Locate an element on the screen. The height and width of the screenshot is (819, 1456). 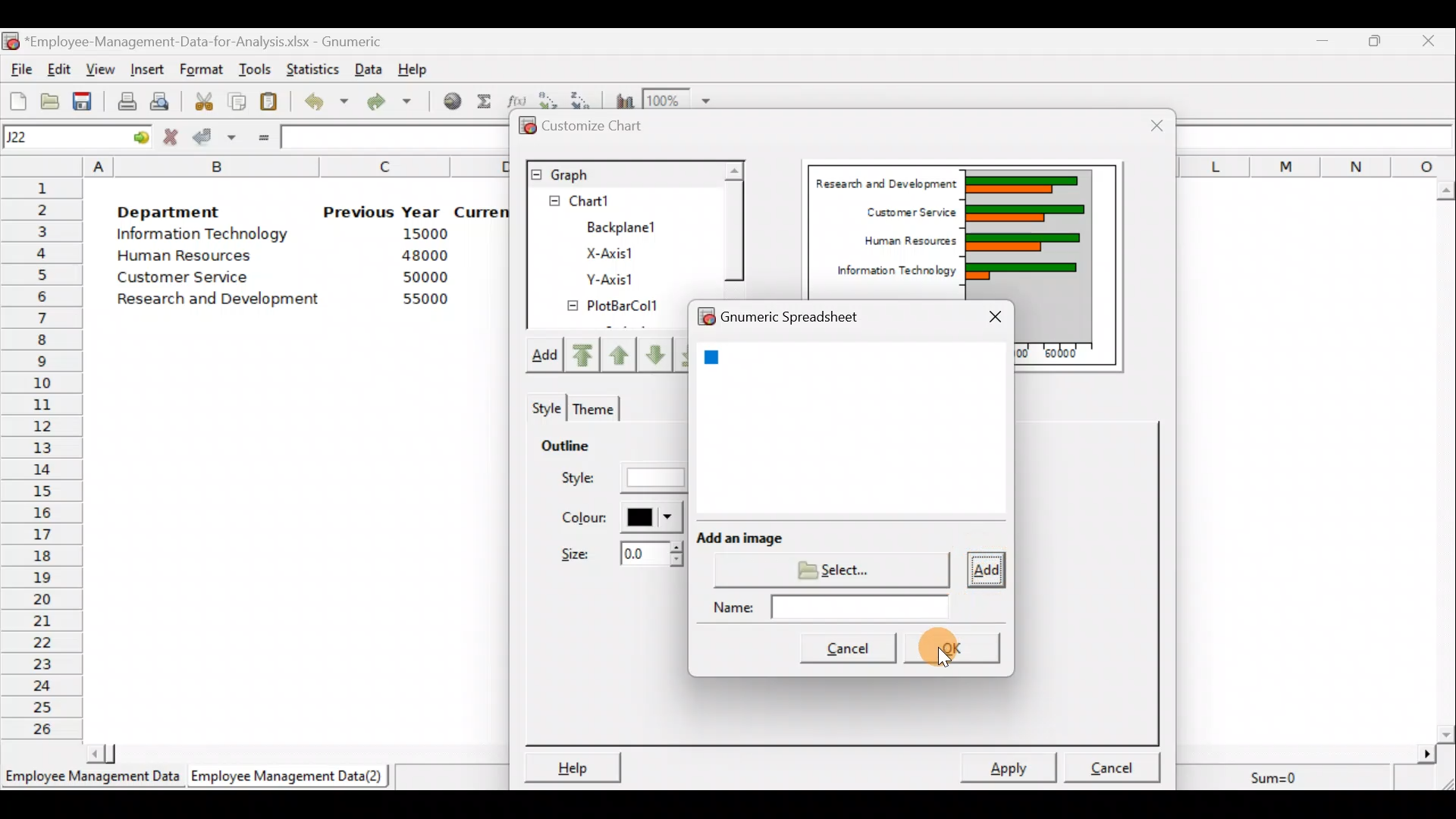
Insert hyperlink is located at coordinates (450, 104).